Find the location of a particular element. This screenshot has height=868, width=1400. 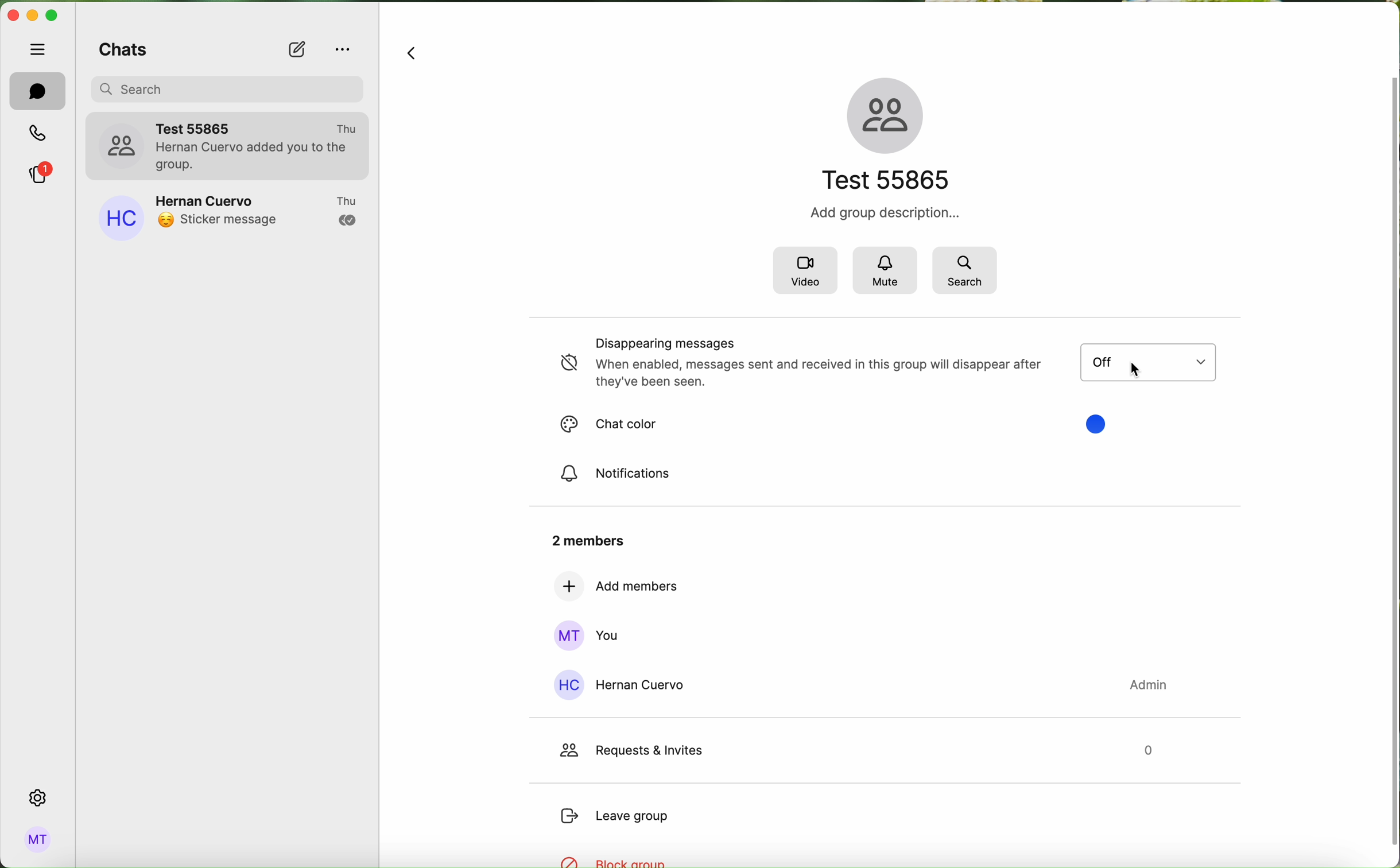

stories is located at coordinates (39, 172).